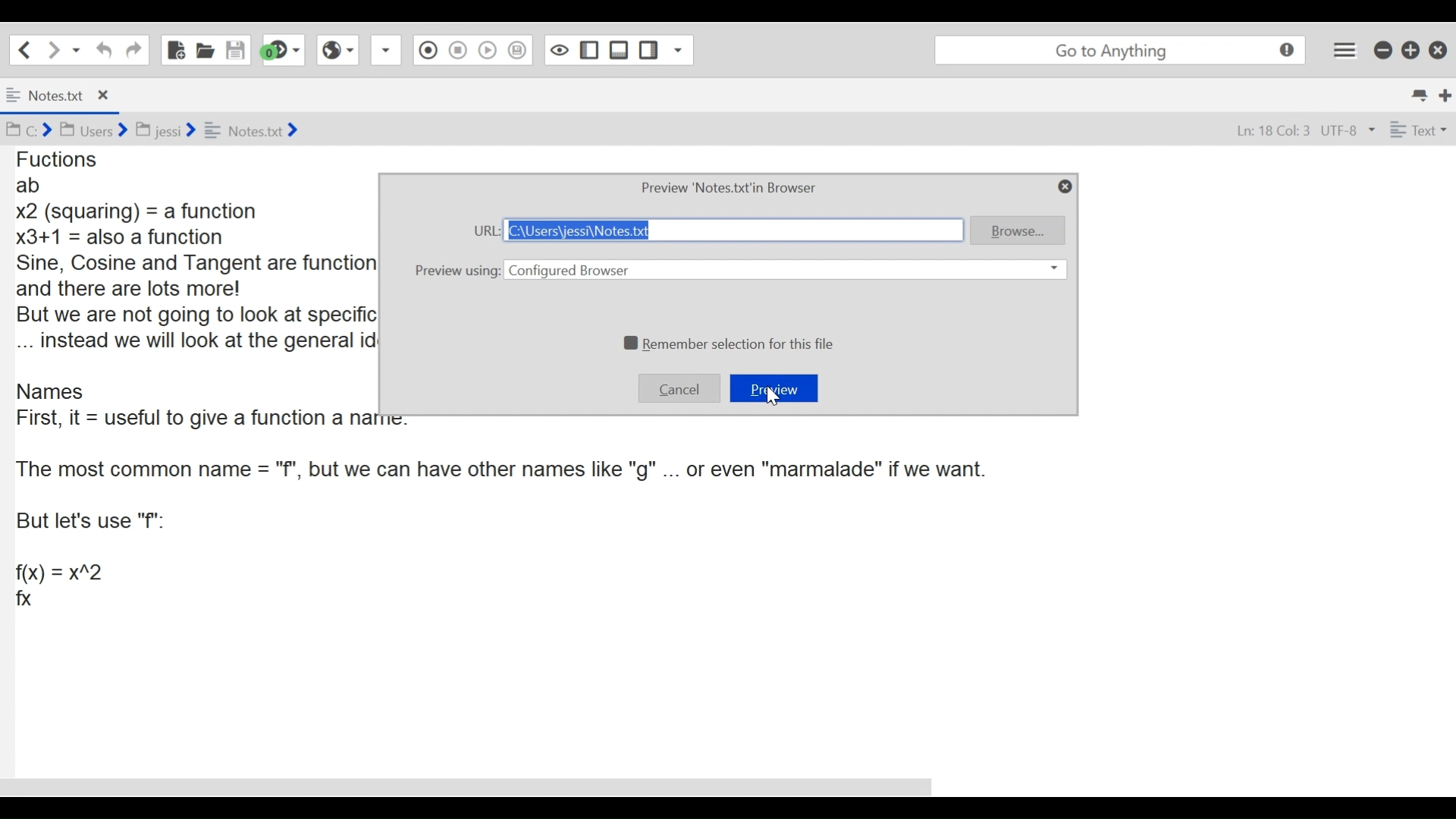  Describe the element at coordinates (284, 51) in the screenshot. I see `Jump to the next syntax checking result` at that location.